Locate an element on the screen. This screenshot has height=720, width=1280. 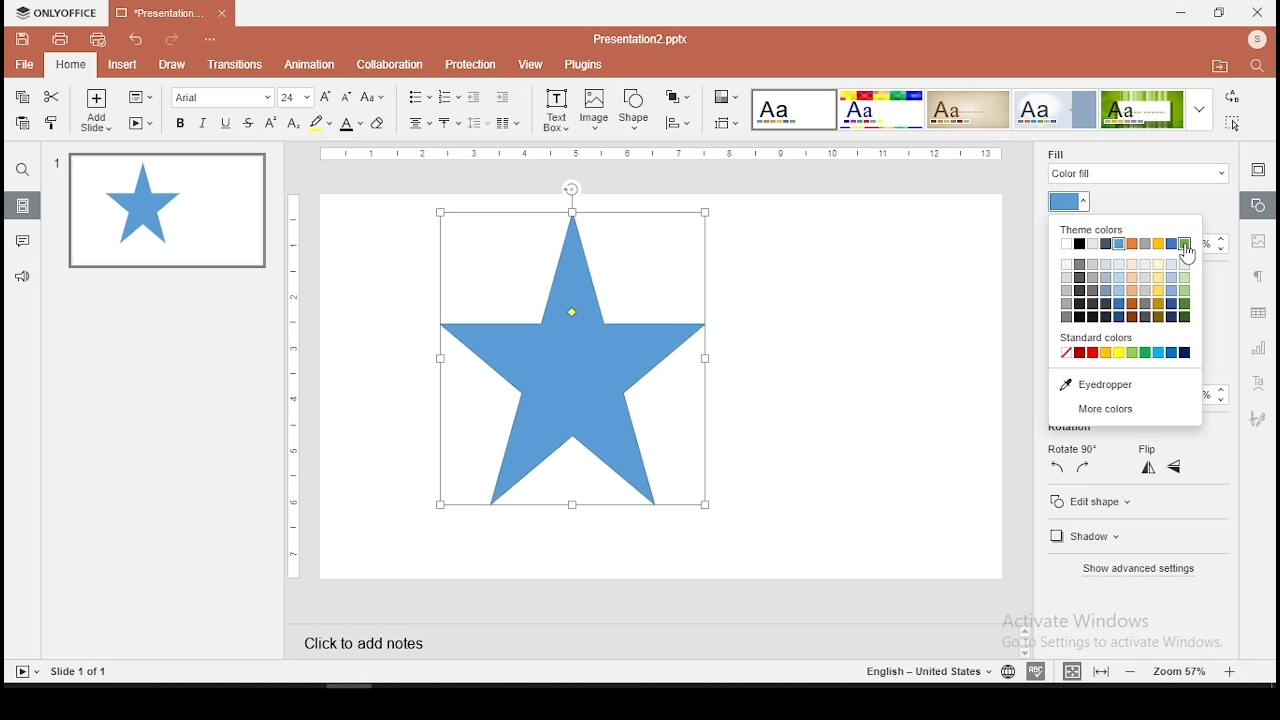
eraser tool is located at coordinates (377, 124).